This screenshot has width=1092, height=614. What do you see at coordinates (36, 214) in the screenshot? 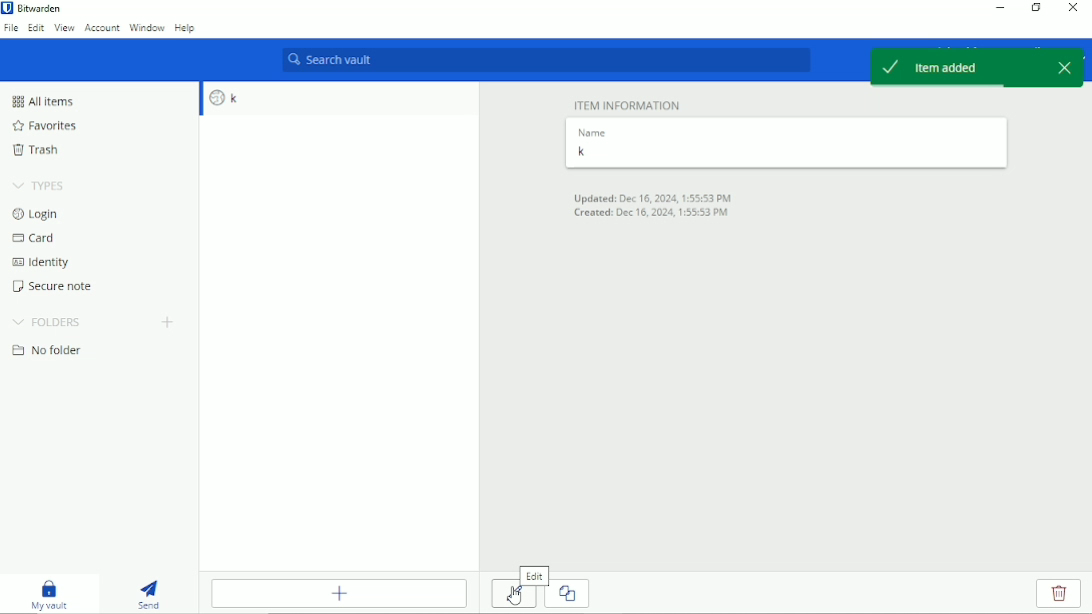
I see `Login` at bounding box center [36, 214].